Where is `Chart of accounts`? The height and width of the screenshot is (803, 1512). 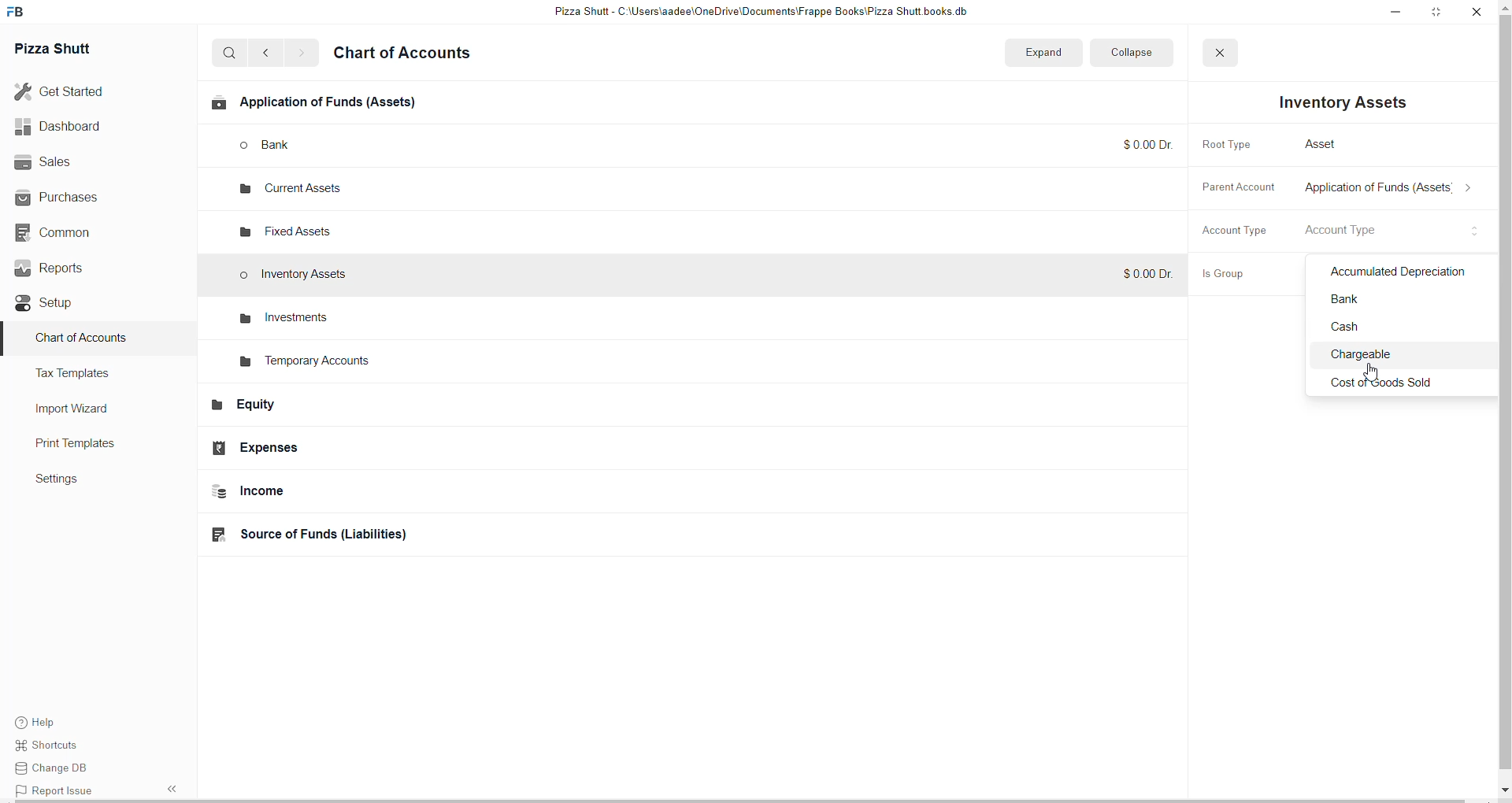
Chart of accounts is located at coordinates (413, 55).